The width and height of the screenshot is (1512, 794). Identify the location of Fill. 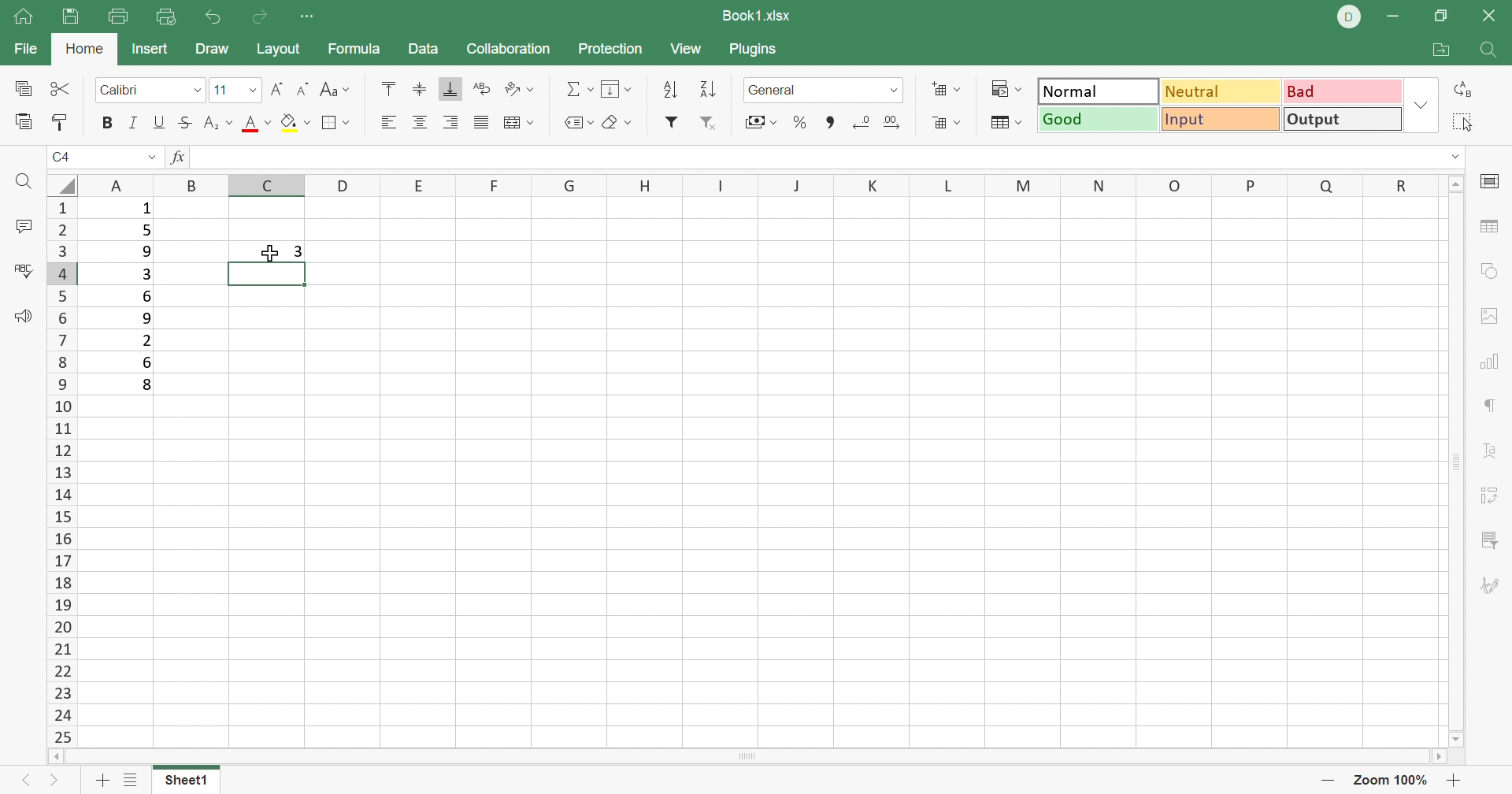
(617, 90).